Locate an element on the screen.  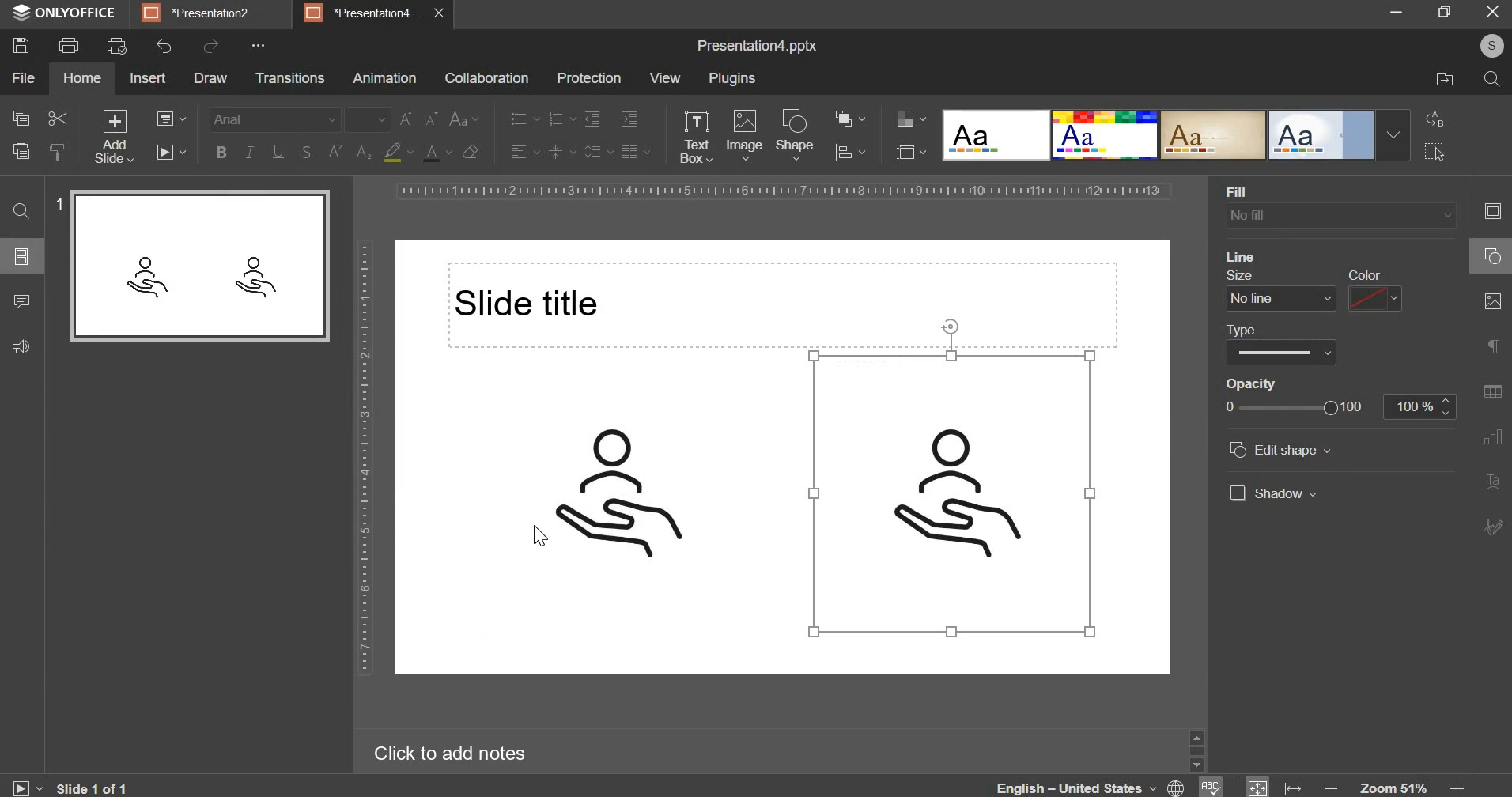
find is located at coordinates (22, 210).